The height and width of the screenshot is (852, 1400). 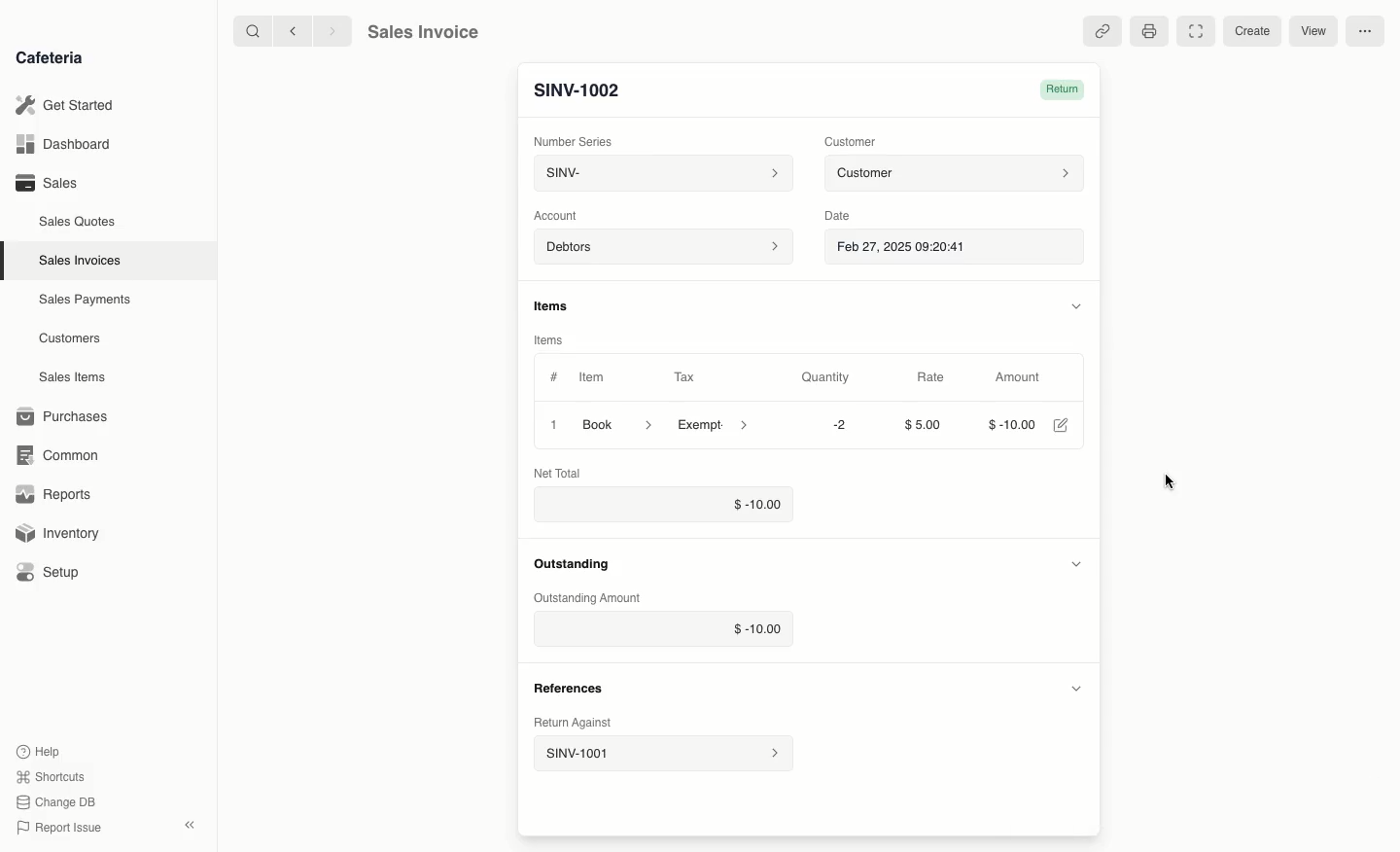 I want to click on Rate, so click(x=930, y=377).